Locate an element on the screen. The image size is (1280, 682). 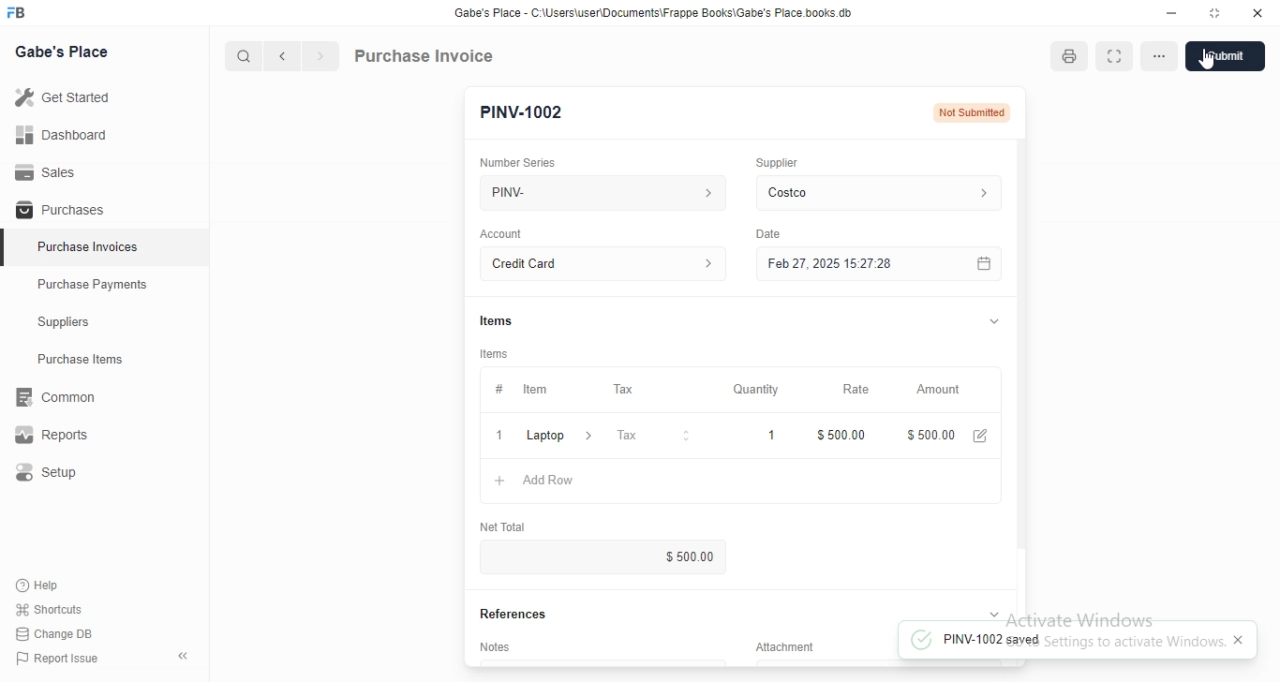
‘Gabe's Place - C\Users\useriDocuments\Frappe Books\Gabe's Place books db. is located at coordinates (653, 12).